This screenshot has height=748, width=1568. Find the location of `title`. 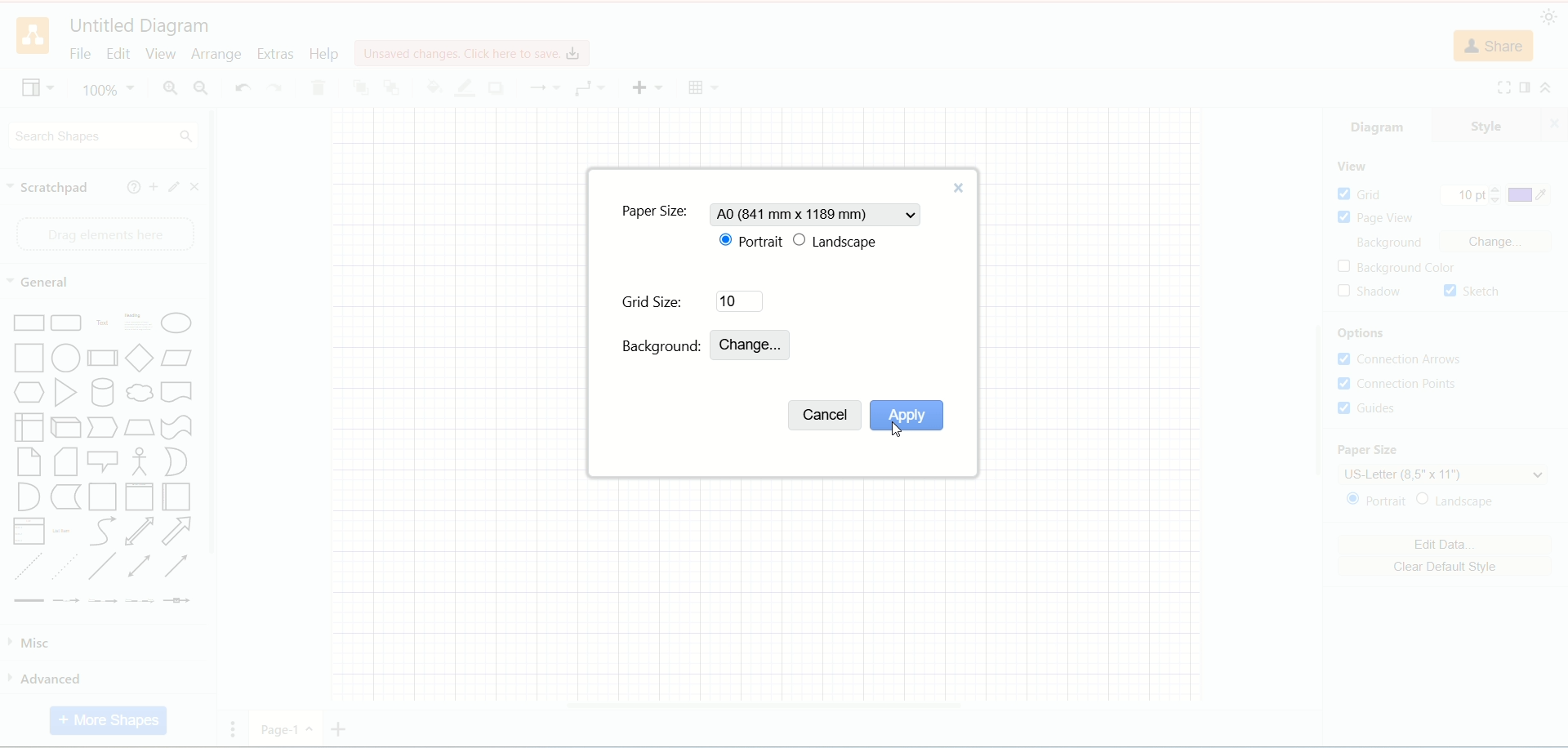

title is located at coordinates (137, 24).